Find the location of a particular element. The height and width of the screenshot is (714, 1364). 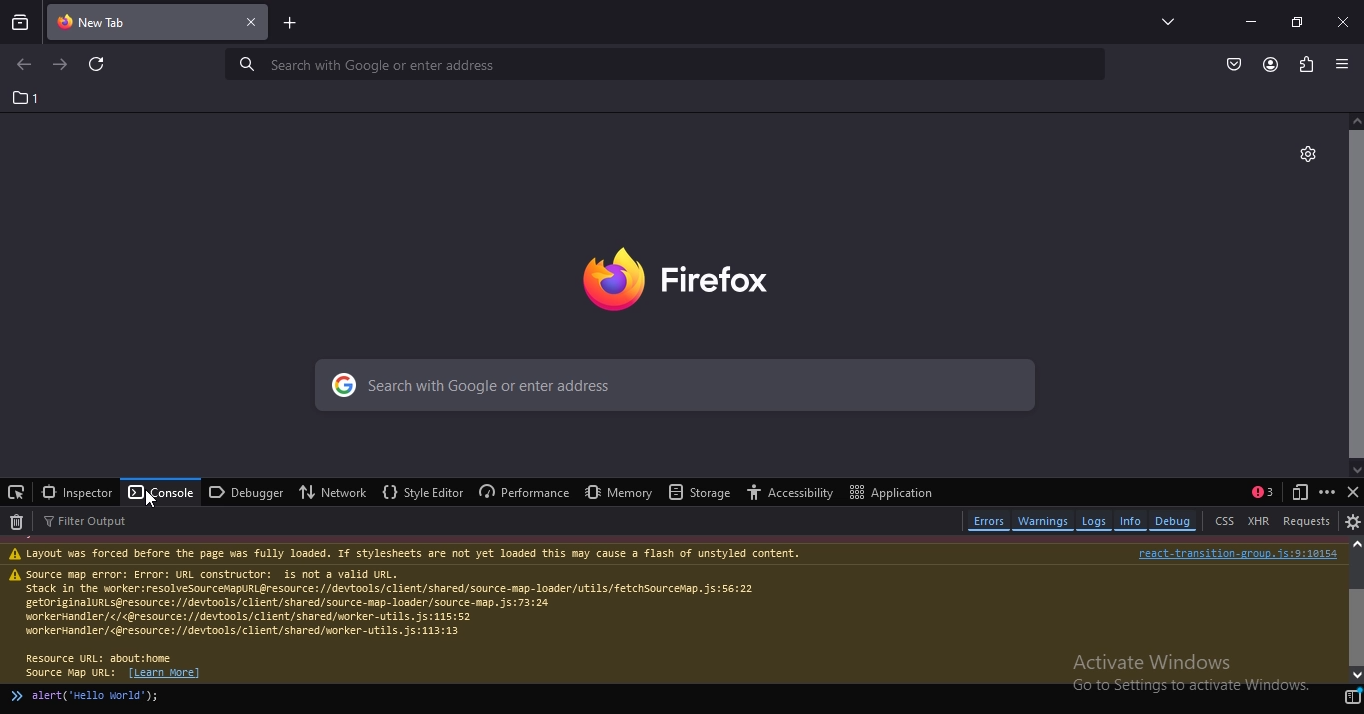

account is located at coordinates (1271, 64).